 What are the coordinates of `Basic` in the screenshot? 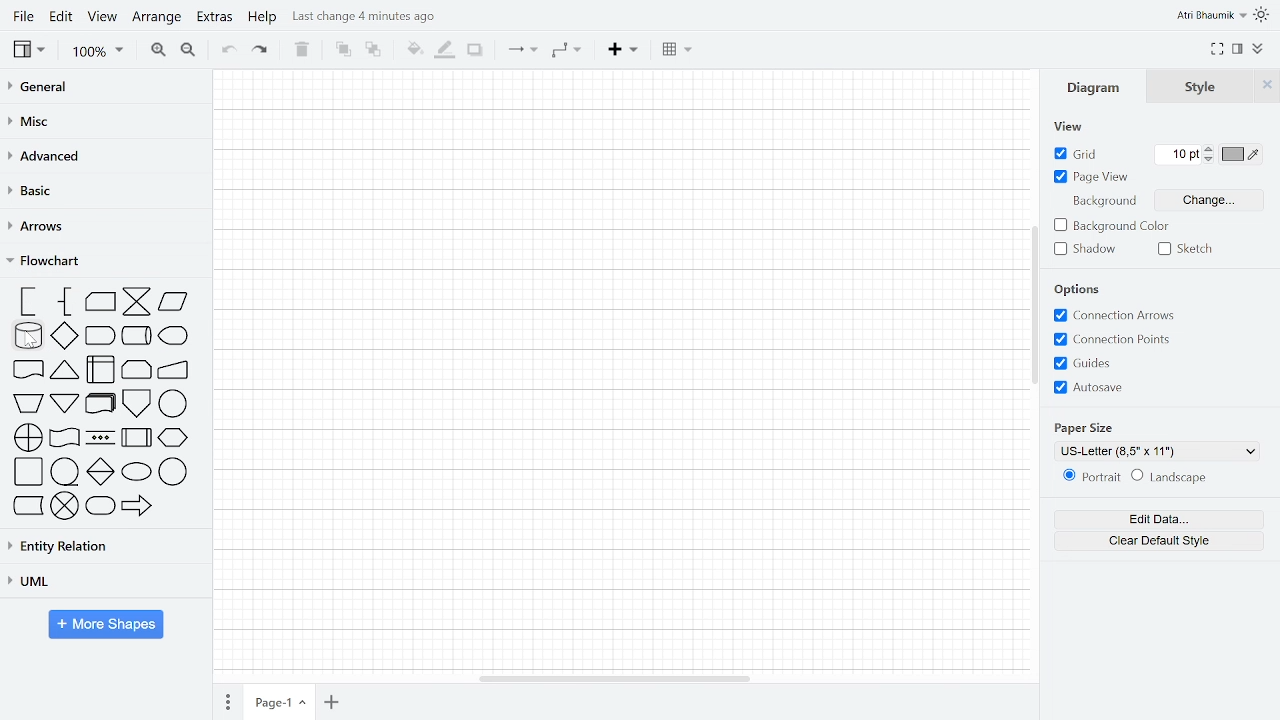 It's located at (102, 191).